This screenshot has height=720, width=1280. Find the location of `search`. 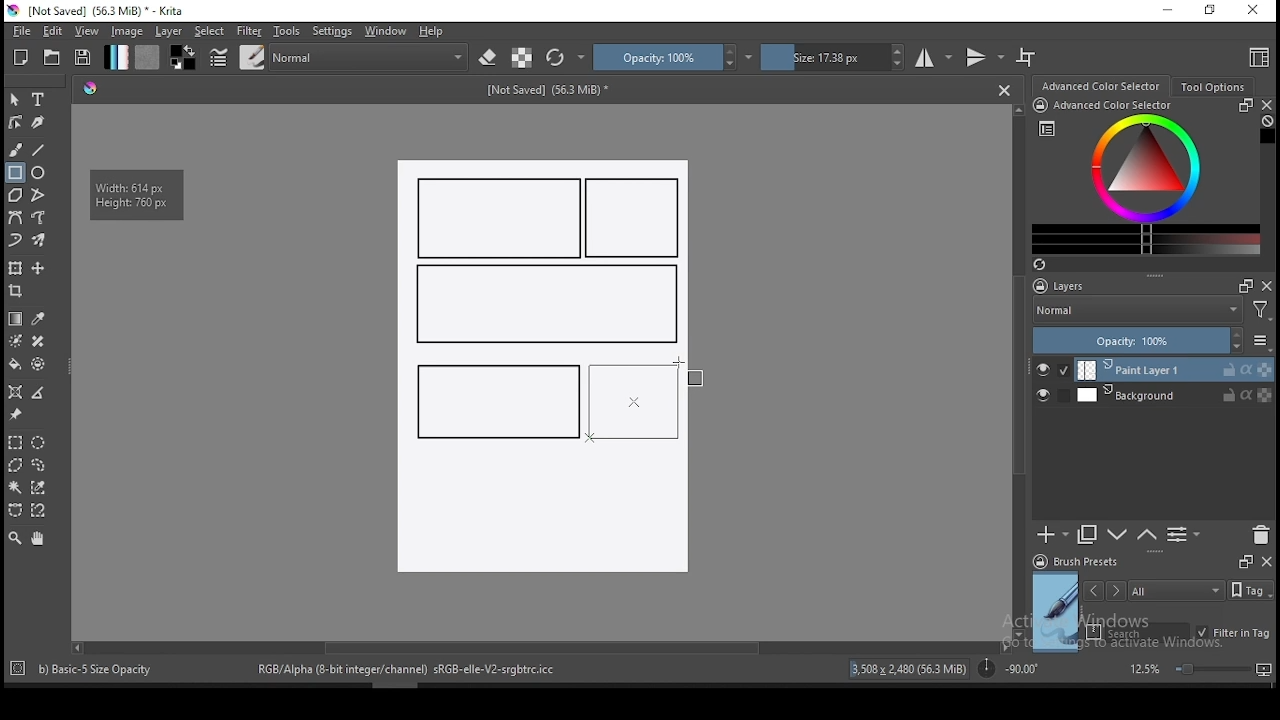

search is located at coordinates (1138, 632).